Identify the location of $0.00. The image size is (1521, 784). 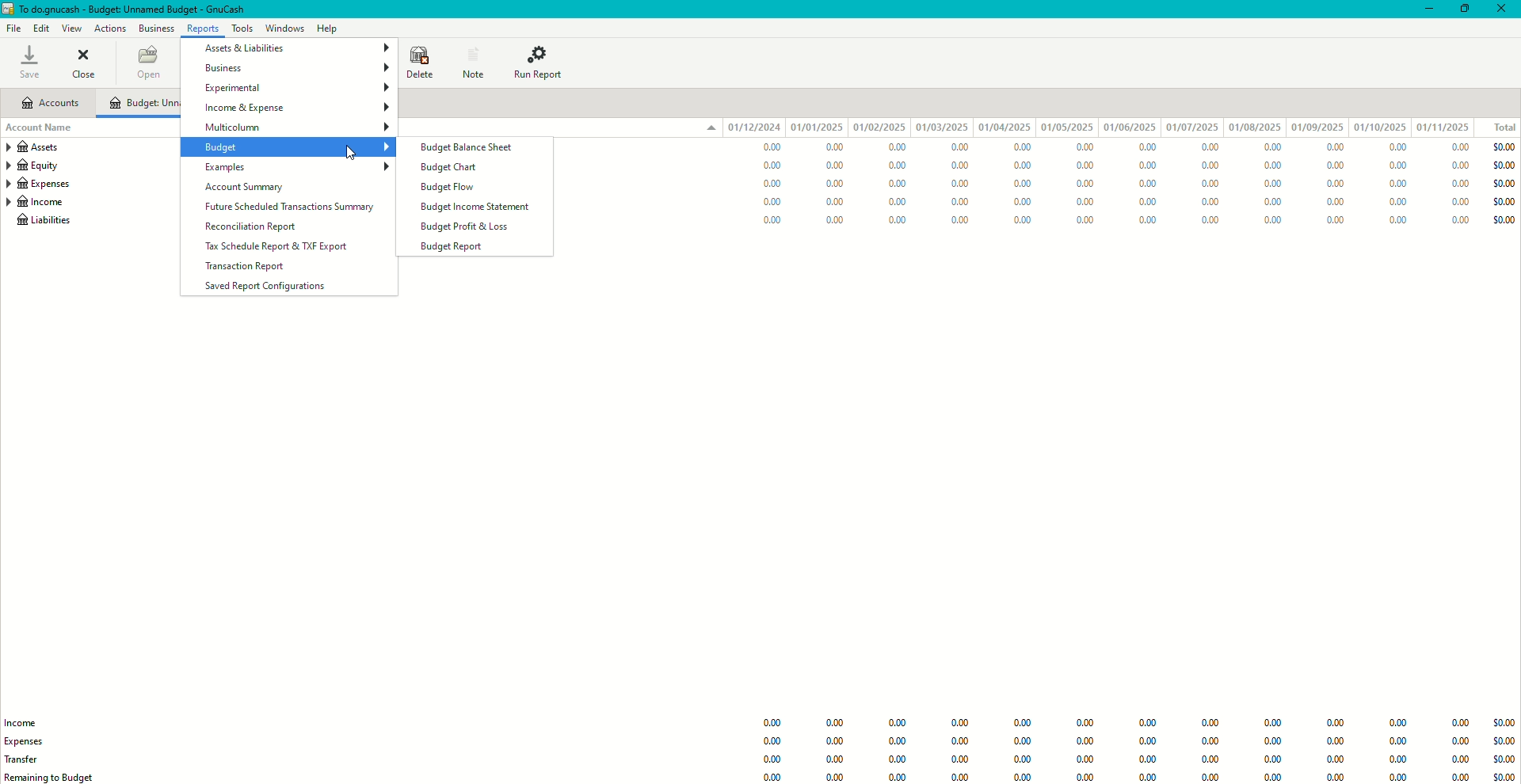
(1502, 163).